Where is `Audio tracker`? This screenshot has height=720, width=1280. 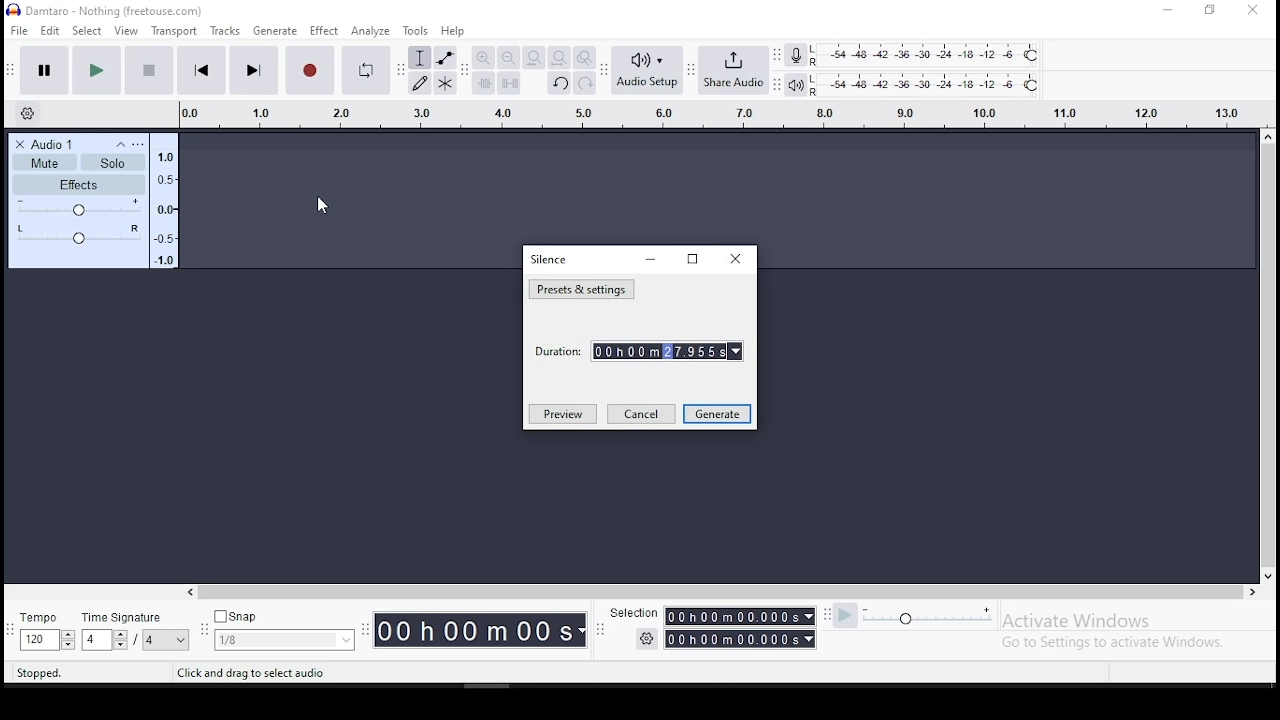
Audio tracker is located at coordinates (165, 201).